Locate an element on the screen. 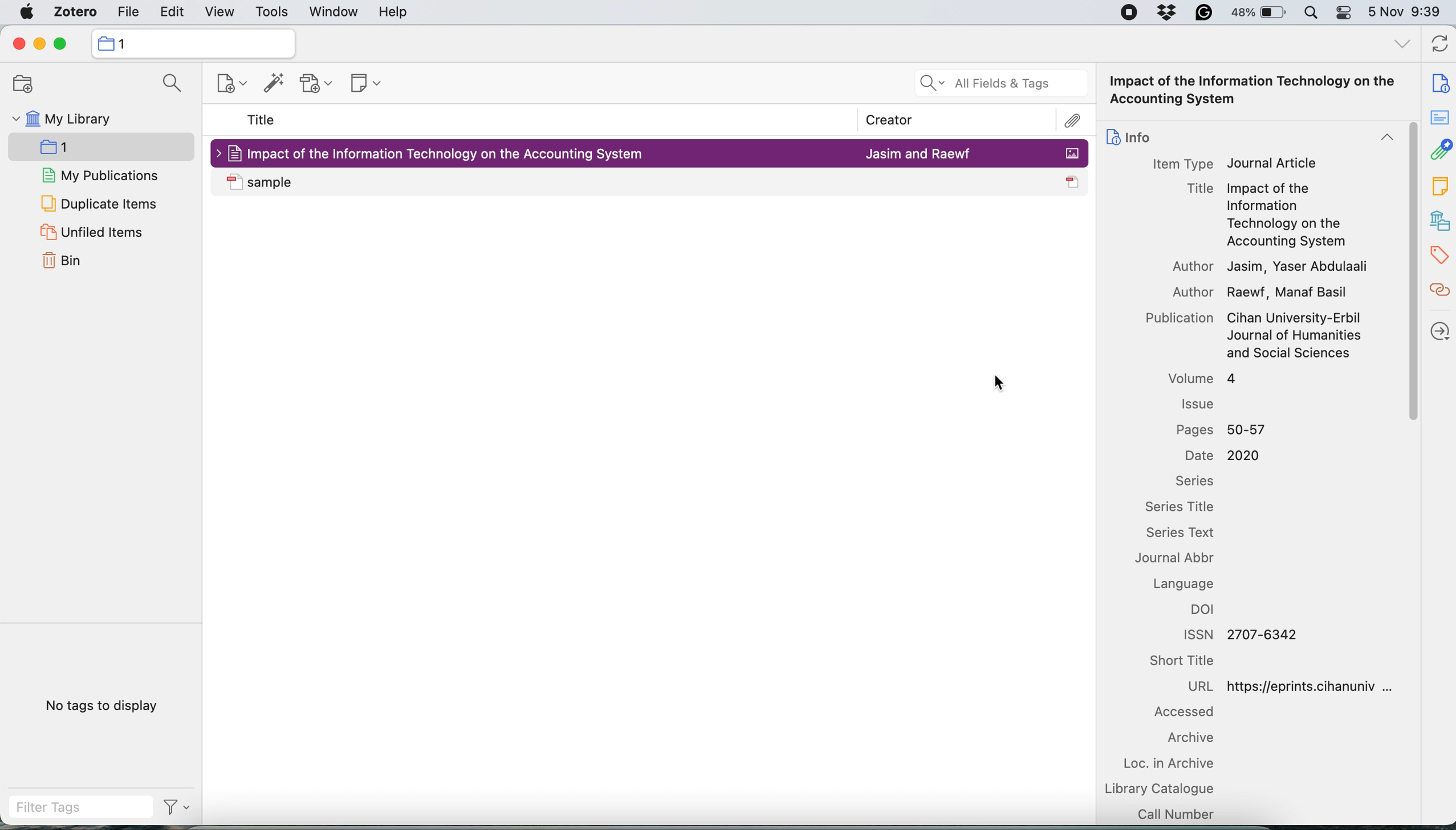 The width and height of the screenshot is (1456, 830). window is located at coordinates (335, 13).